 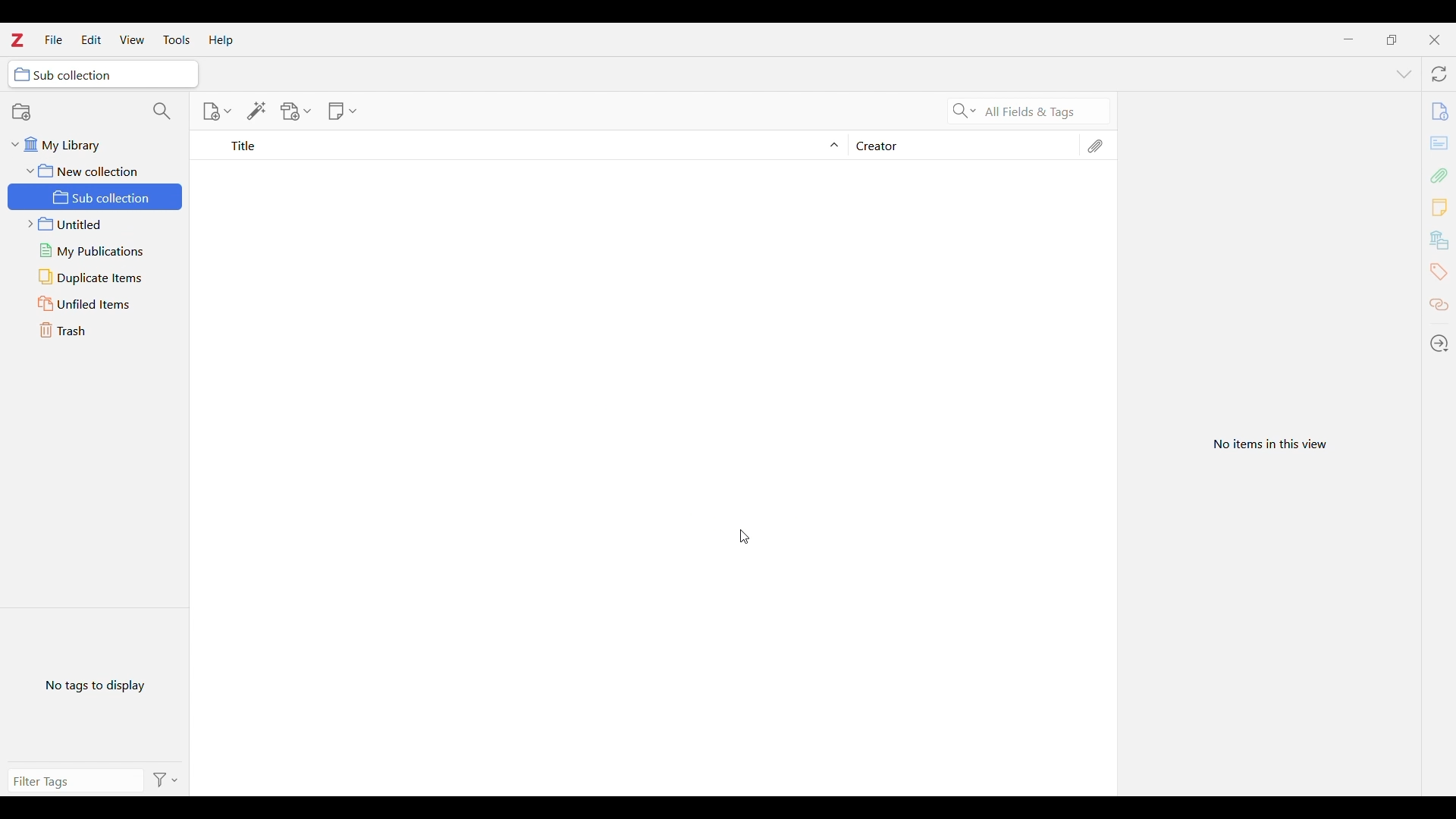 I want to click on banks, so click(x=1441, y=240).